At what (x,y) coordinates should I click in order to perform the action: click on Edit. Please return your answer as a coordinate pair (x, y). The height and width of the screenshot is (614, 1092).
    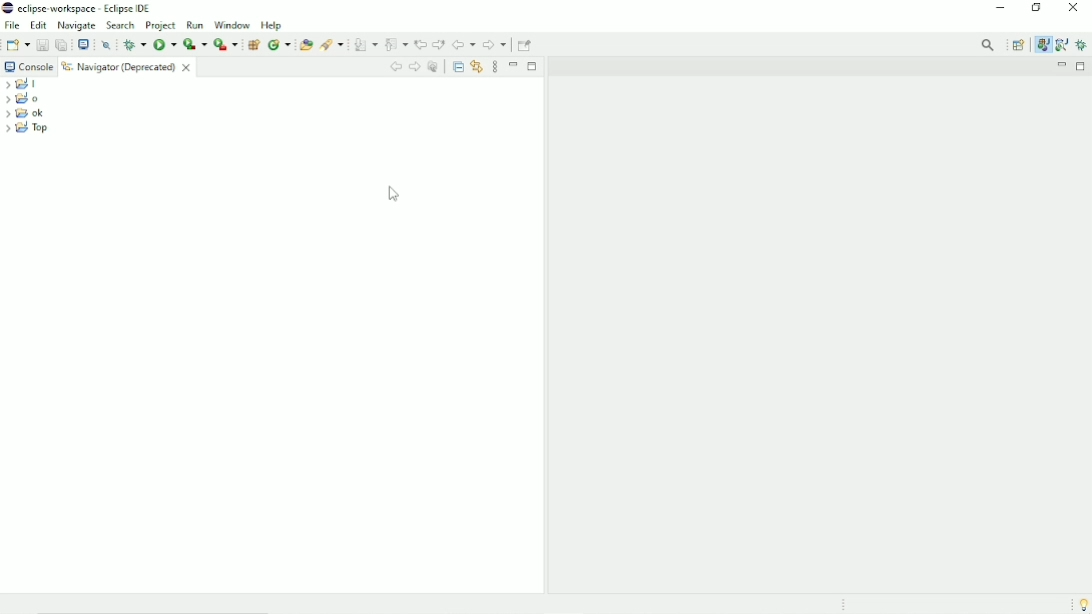
    Looking at the image, I should click on (39, 24).